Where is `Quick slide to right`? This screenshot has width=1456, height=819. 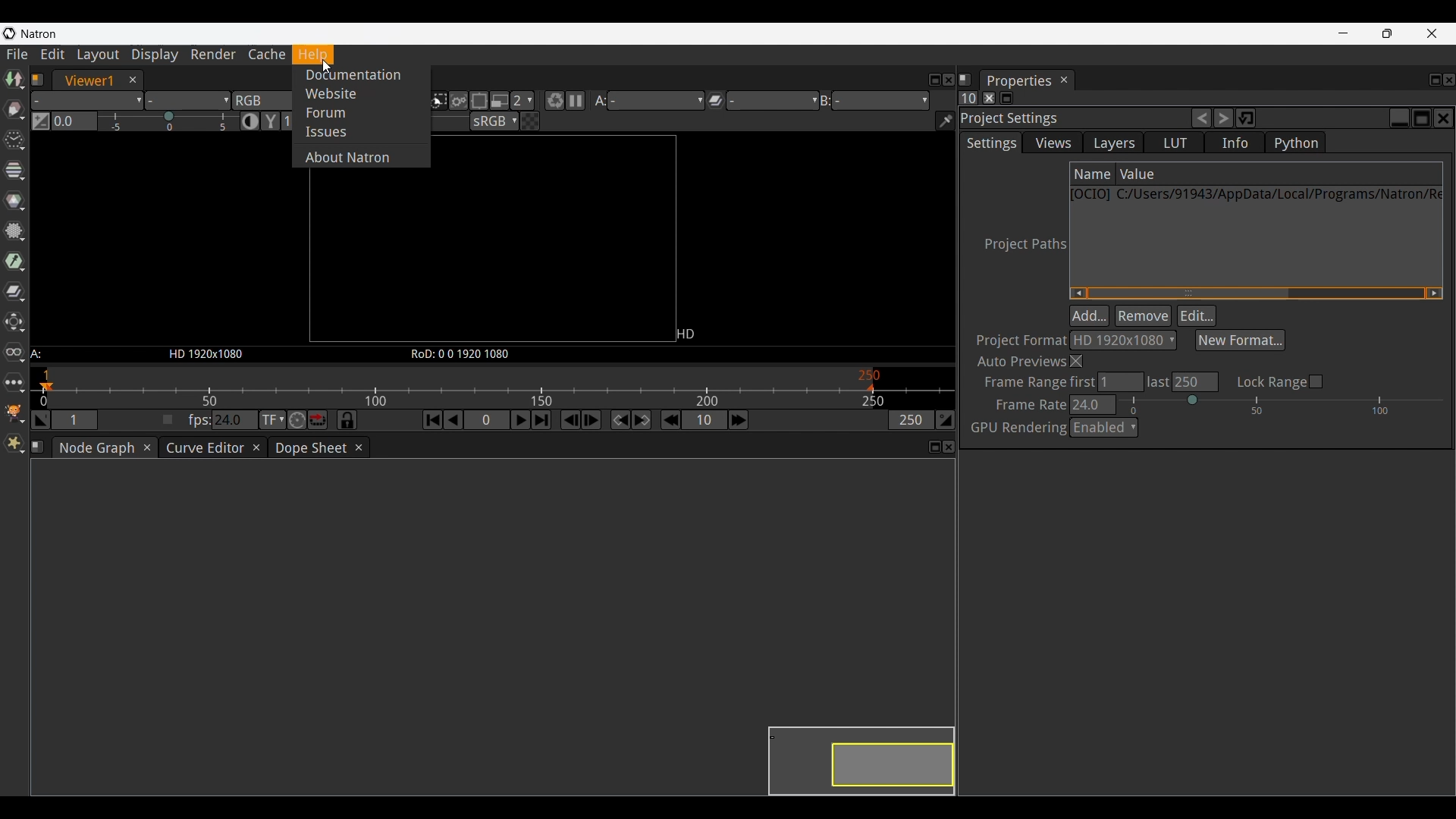 Quick slide to right is located at coordinates (1435, 293).